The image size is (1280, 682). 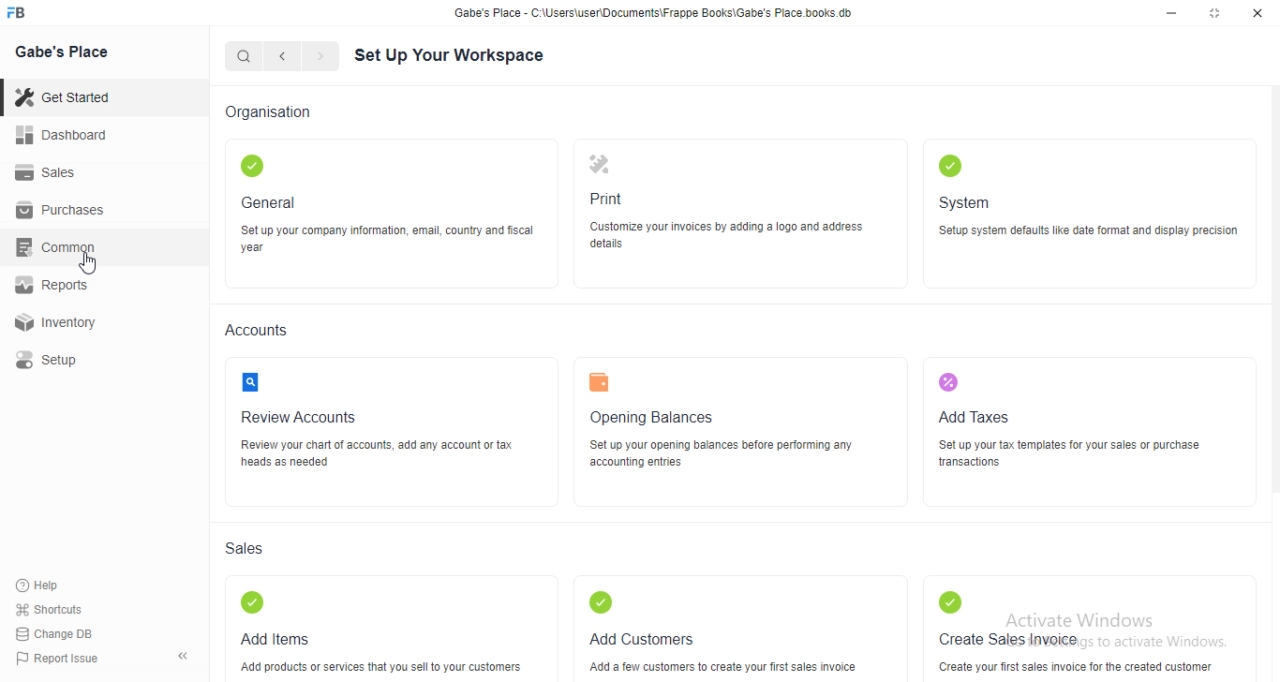 What do you see at coordinates (270, 114) in the screenshot?
I see `Organisation` at bounding box center [270, 114].